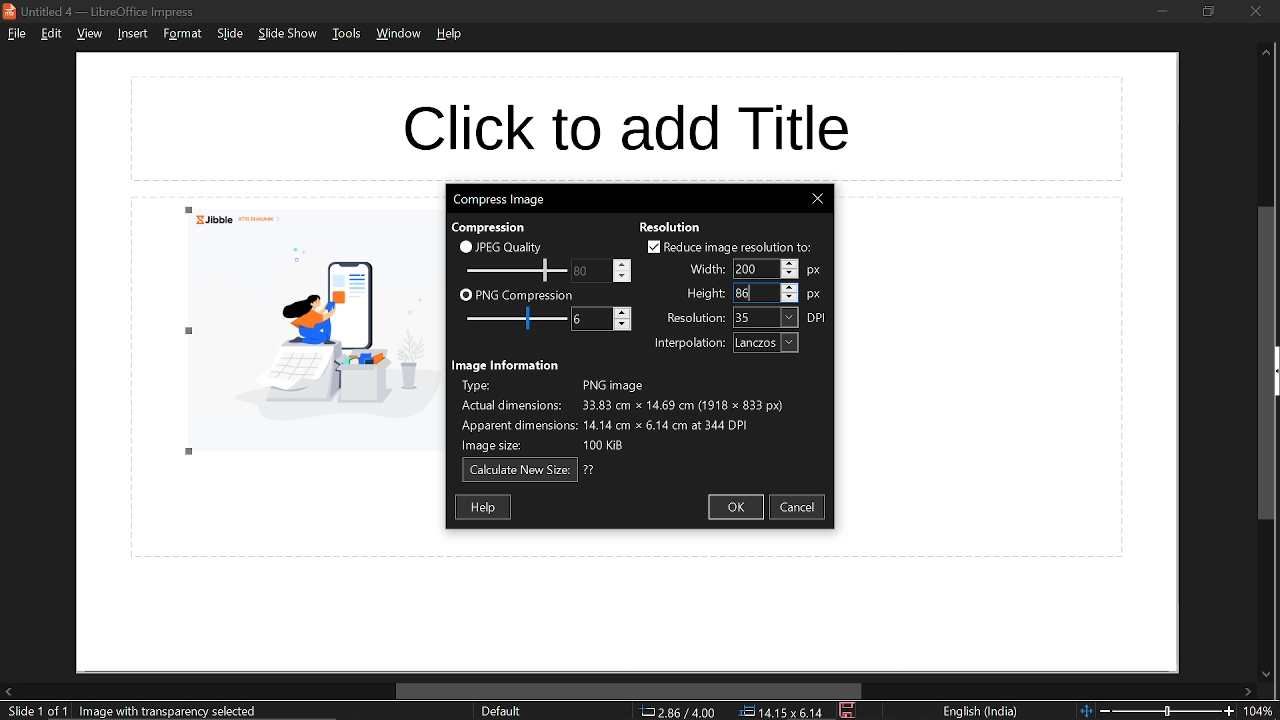  Describe the element at coordinates (754, 293) in the screenshot. I see `height` at that location.